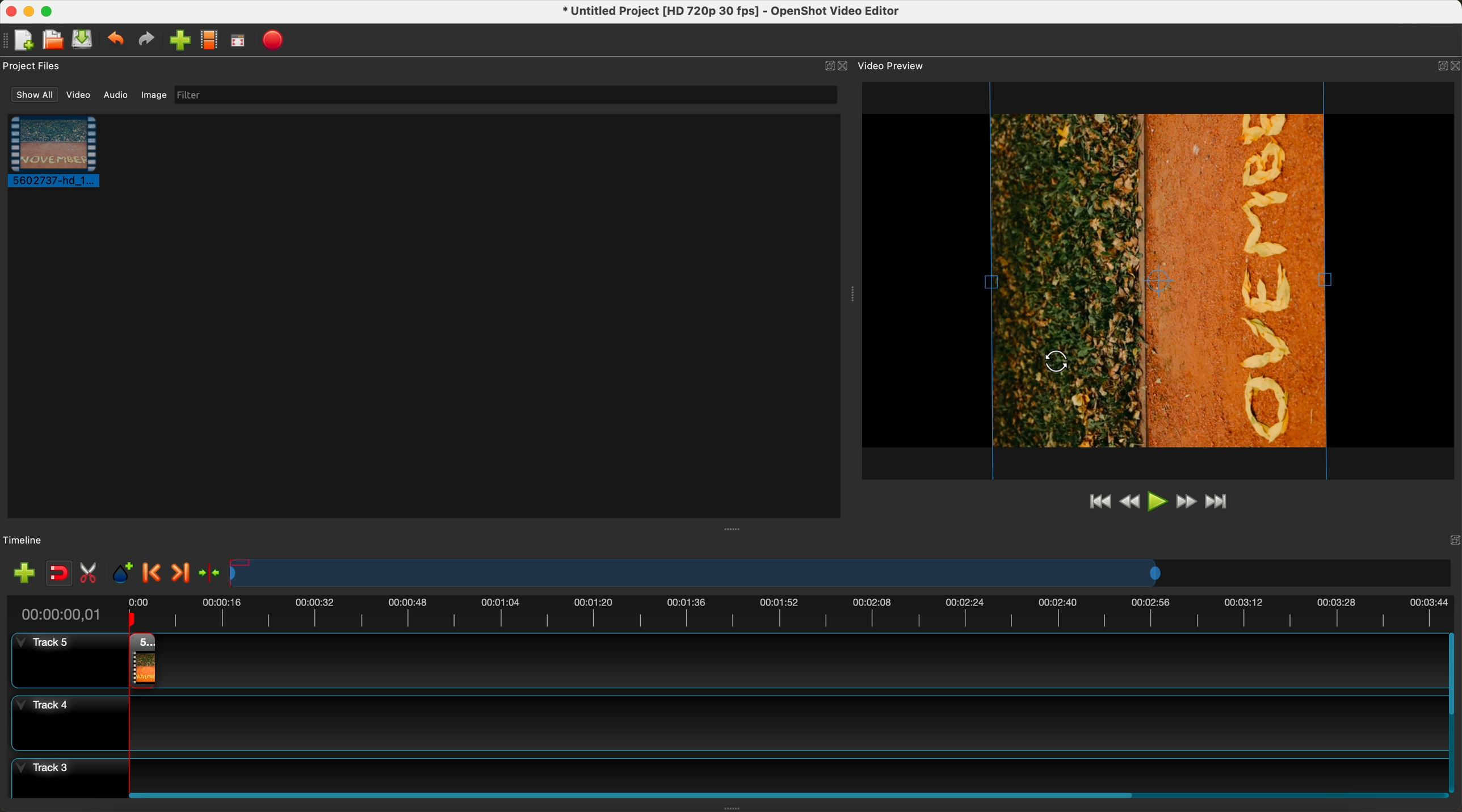 The image size is (1462, 812). What do you see at coordinates (216, 573) in the screenshot?
I see `center the timeline on the playhead` at bounding box center [216, 573].